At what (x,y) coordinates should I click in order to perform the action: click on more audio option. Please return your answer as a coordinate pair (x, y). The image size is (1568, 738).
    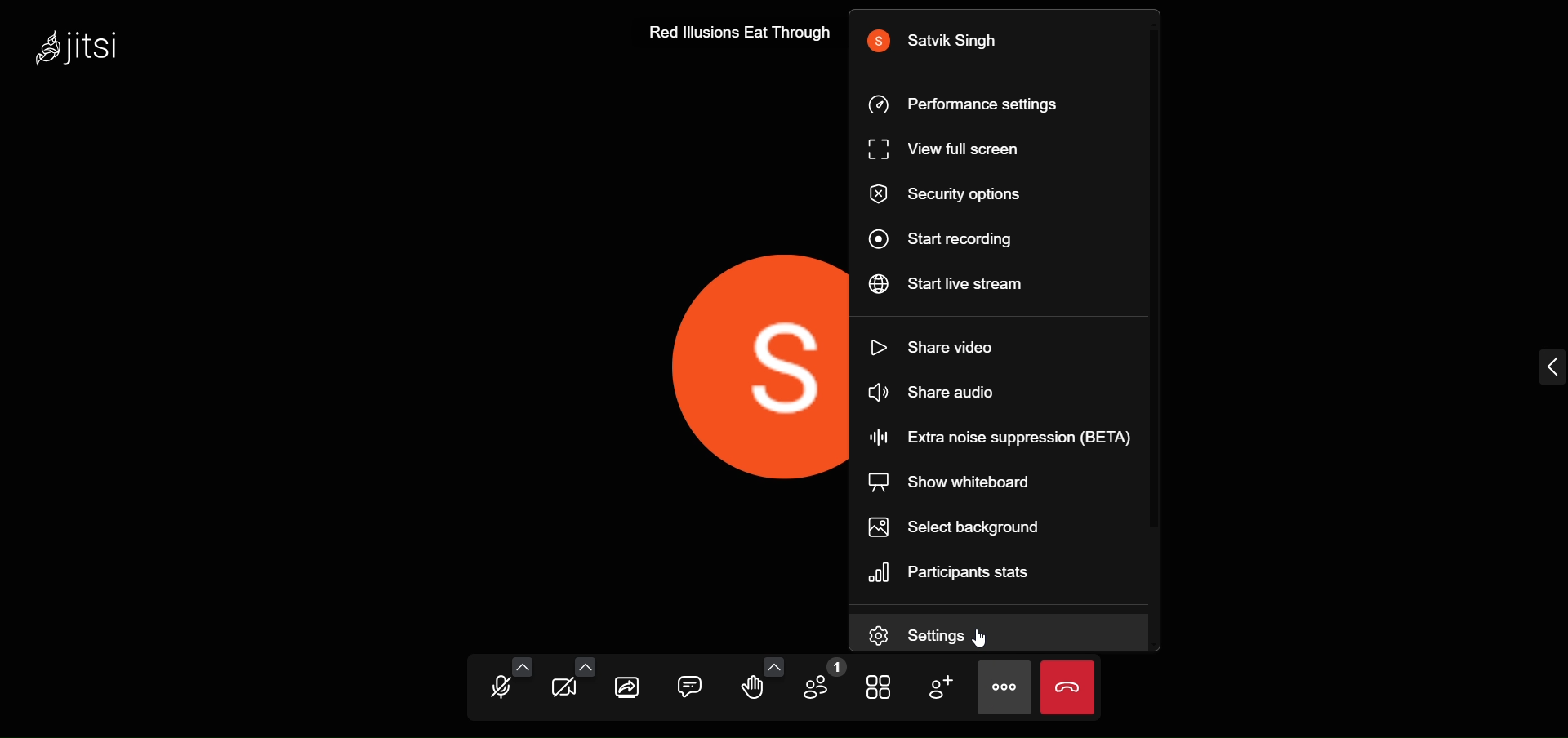
    Looking at the image, I should click on (525, 664).